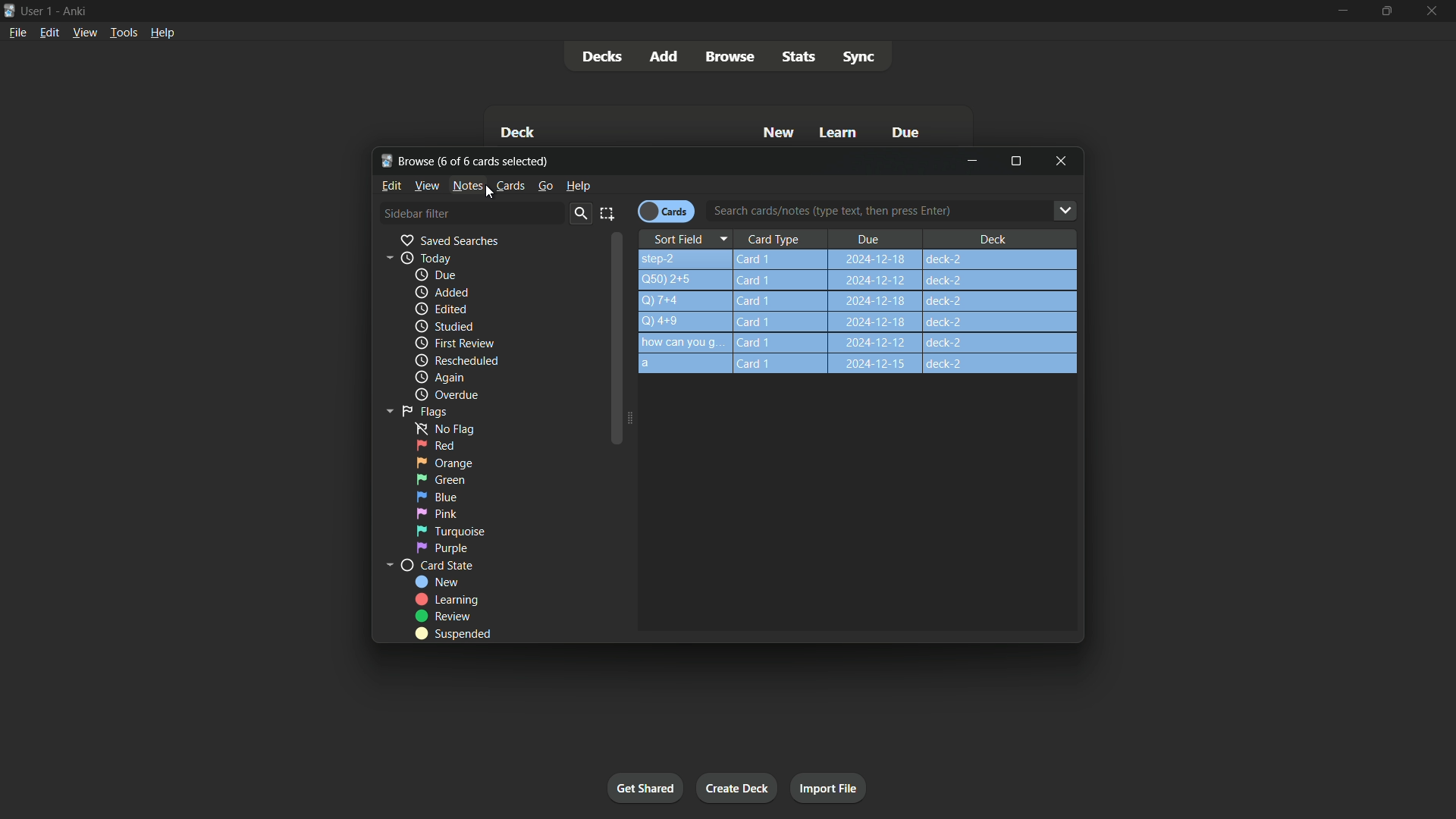 Image resolution: width=1456 pixels, height=819 pixels. What do you see at coordinates (1340, 11) in the screenshot?
I see `minimize` at bounding box center [1340, 11].